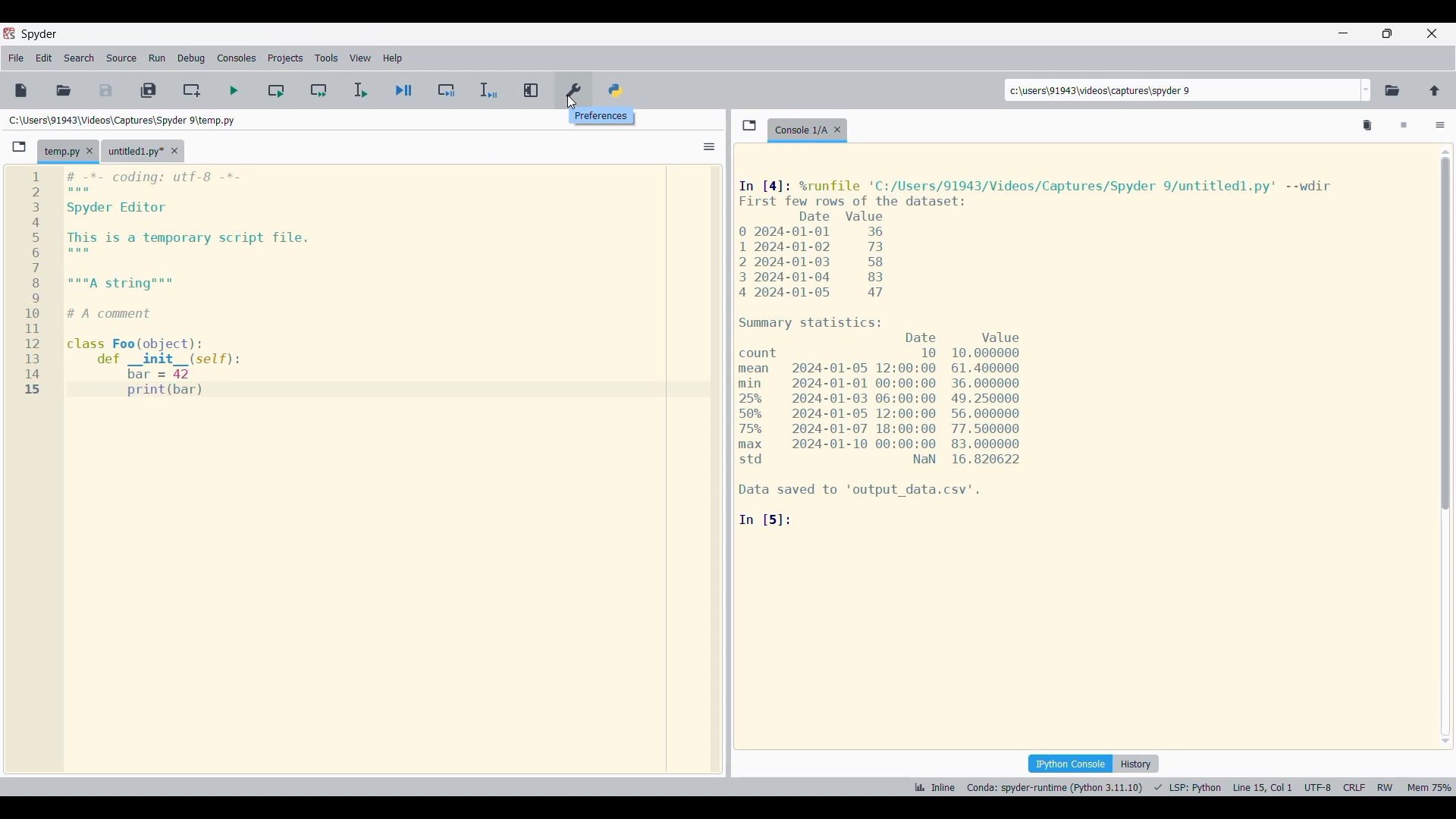 The height and width of the screenshot is (819, 1456). What do you see at coordinates (489, 90) in the screenshot?
I see `Debug selection/current line` at bounding box center [489, 90].